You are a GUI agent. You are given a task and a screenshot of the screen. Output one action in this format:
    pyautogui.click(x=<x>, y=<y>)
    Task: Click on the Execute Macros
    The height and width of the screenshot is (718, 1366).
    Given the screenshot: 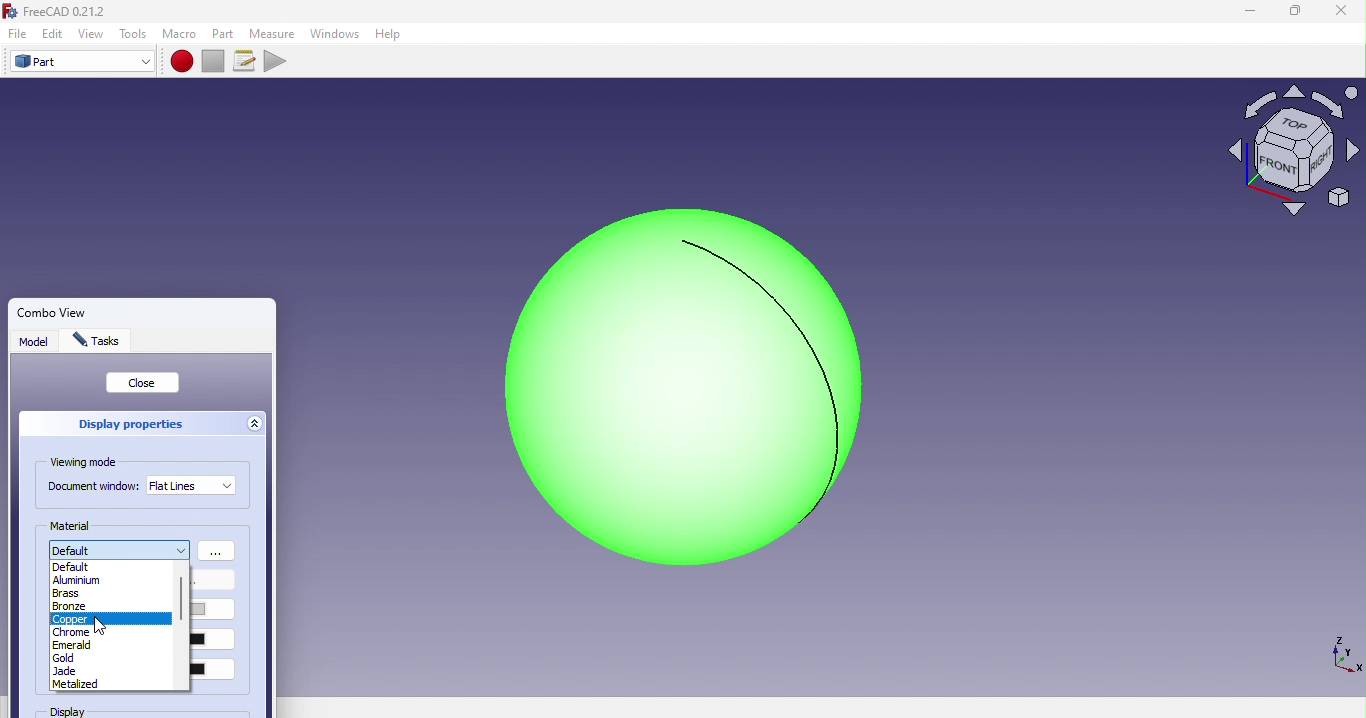 What is the action you would take?
    pyautogui.click(x=278, y=60)
    